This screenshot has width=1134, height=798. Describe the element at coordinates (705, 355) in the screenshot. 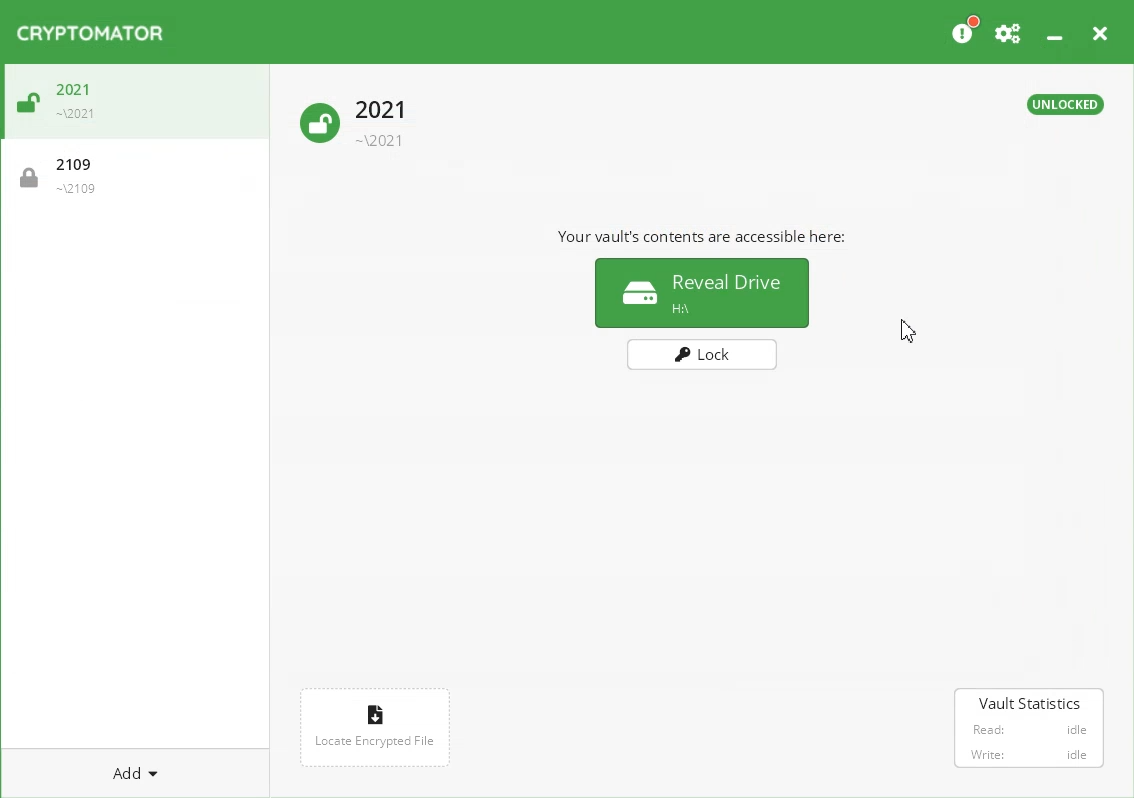

I see `Lock` at that location.